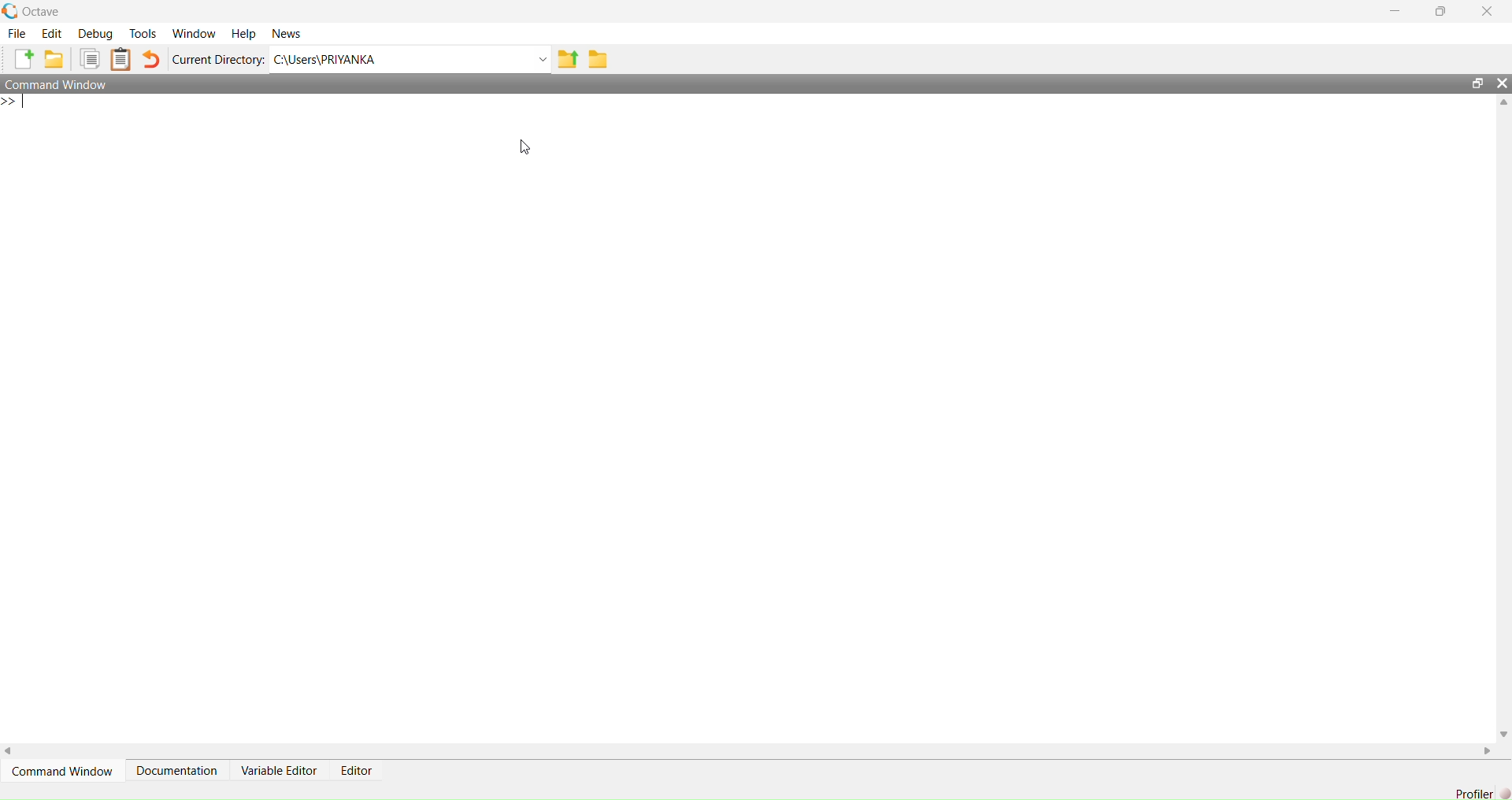  Describe the element at coordinates (57, 59) in the screenshot. I see `Open an existing file in editor` at that location.